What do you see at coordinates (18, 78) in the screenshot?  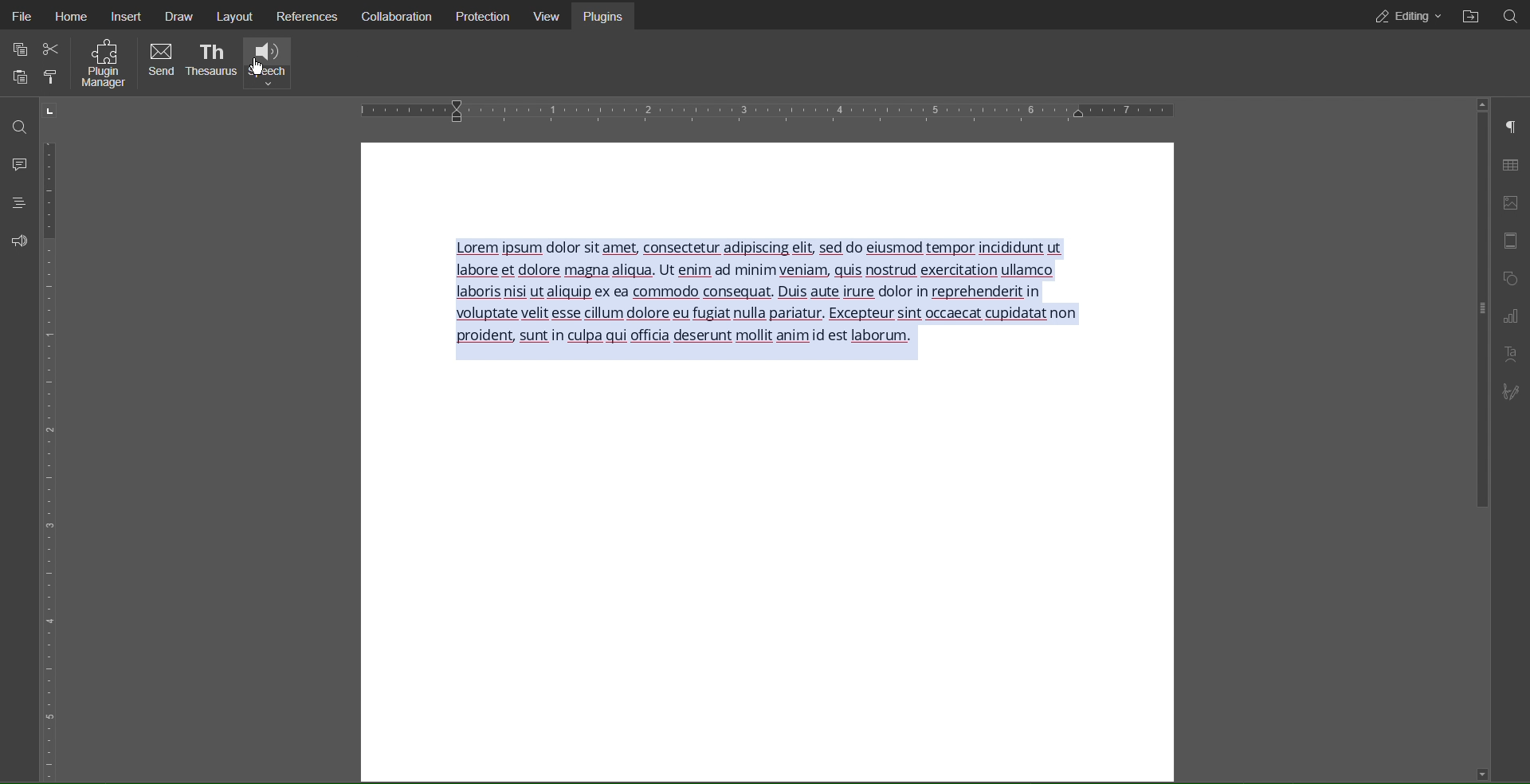 I see `Clipboard` at bounding box center [18, 78].